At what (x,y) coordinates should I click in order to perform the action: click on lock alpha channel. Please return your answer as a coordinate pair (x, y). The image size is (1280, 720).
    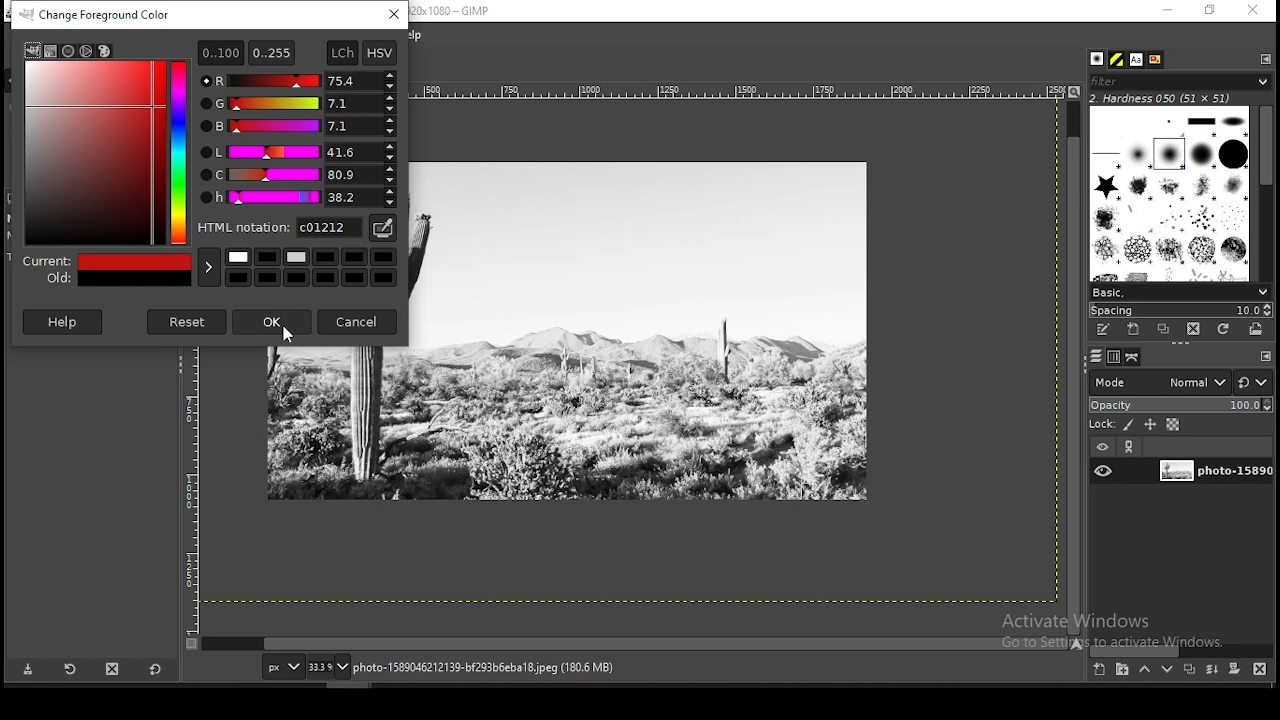
    Looking at the image, I should click on (1172, 424).